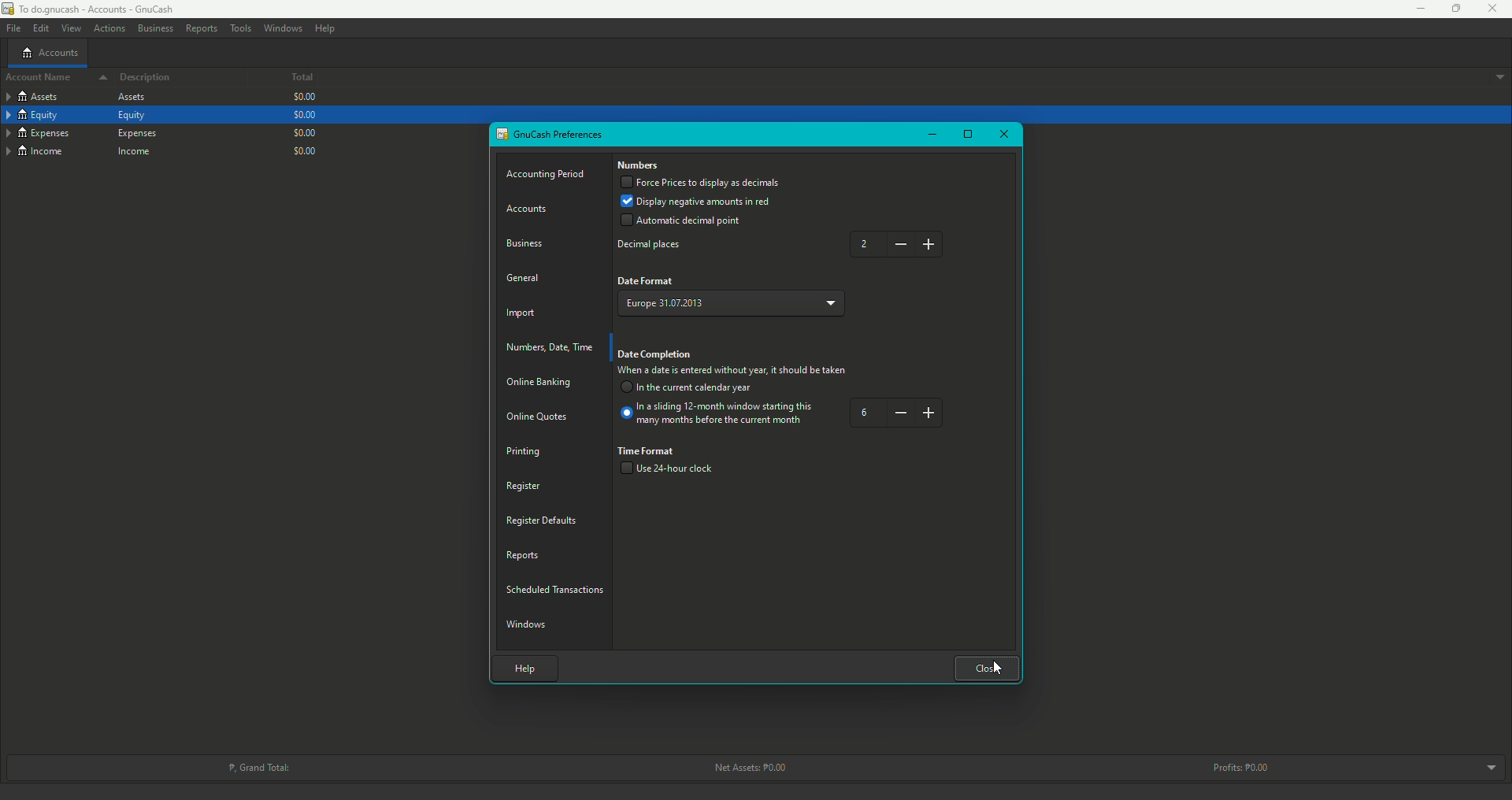 The height and width of the screenshot is (800, 1512). What do you see at coordinates (52, 79) in the screenshot?
I see `Account name` at bounding box center [52, 79].